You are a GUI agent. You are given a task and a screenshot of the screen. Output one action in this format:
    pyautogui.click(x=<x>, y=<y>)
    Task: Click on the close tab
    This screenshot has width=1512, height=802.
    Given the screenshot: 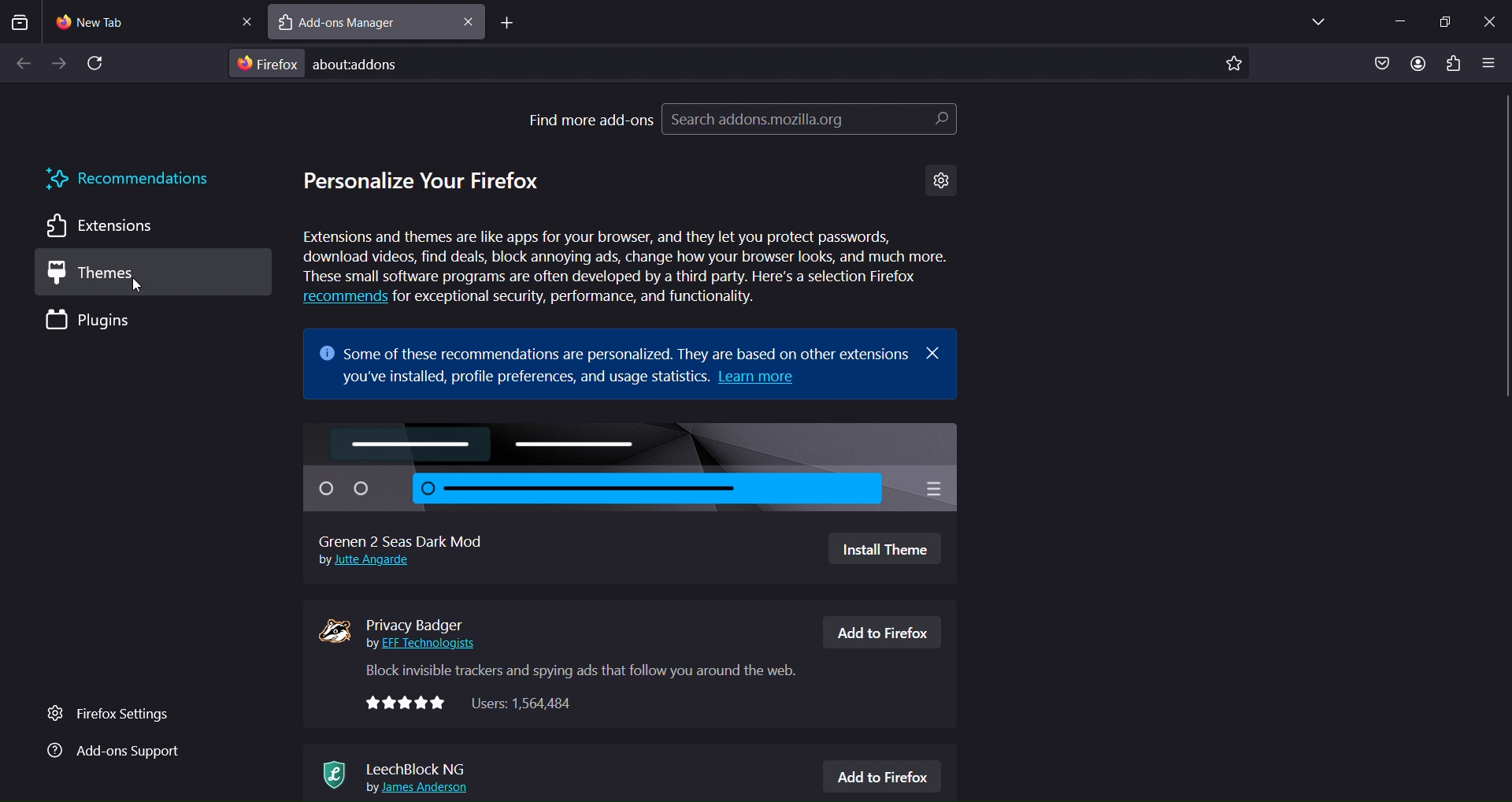 What is the action you would take?
    pyautogui.click(x=469, y=22)
    